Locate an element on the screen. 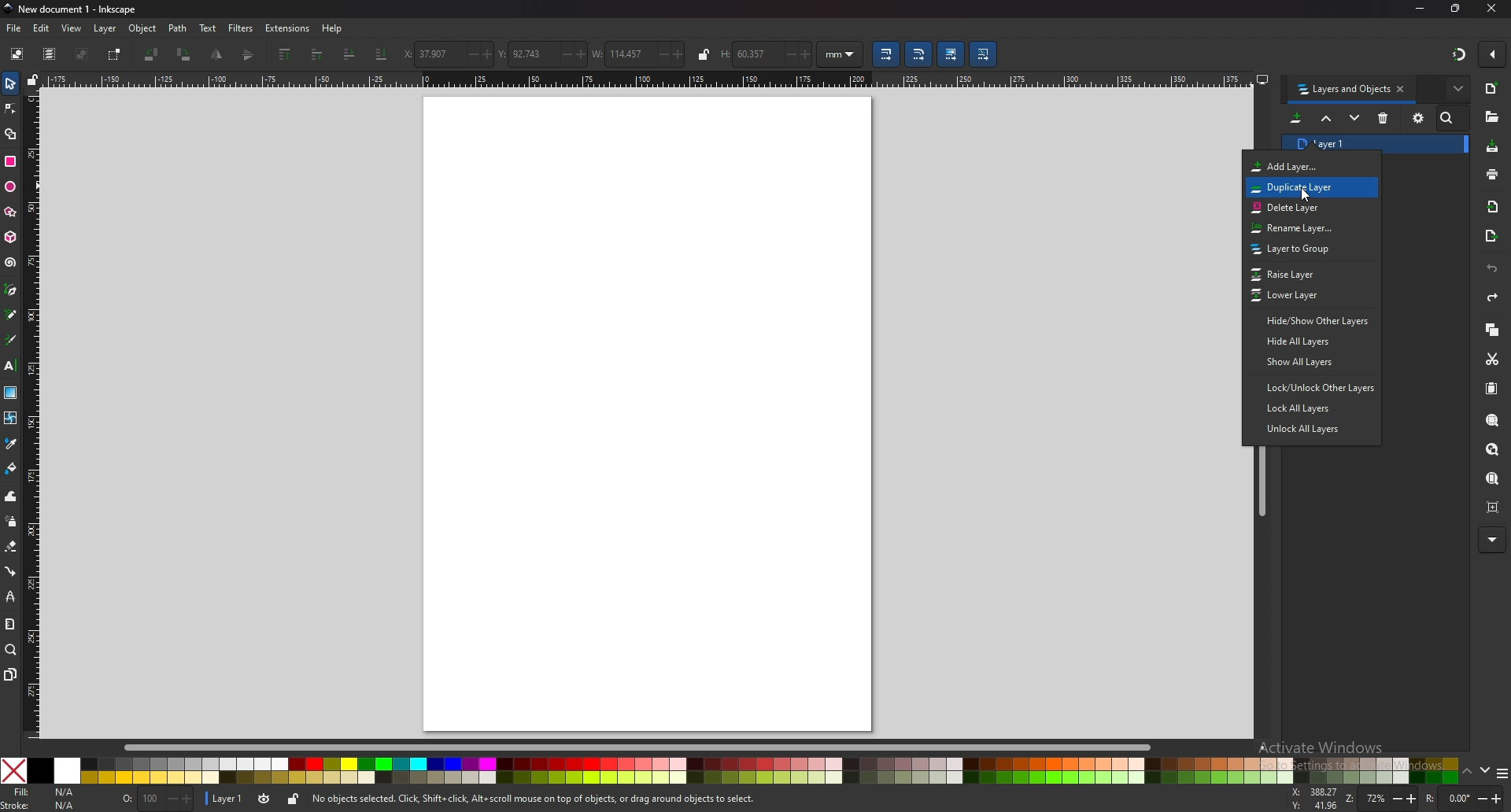  no color is located at coordinates (13, 770).